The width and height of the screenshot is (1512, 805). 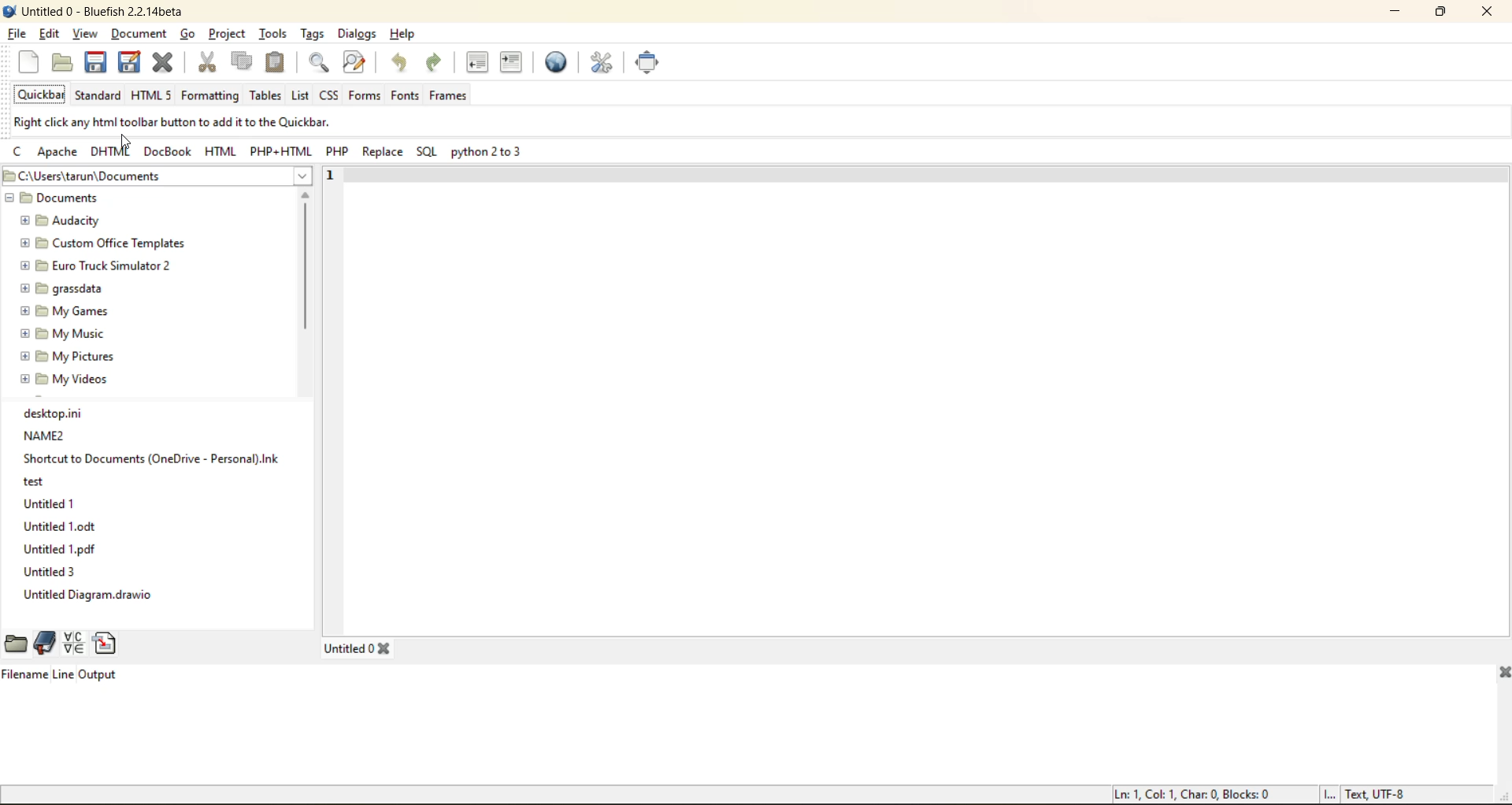 What do you see at coordinates (227, 35) in the screenshot?
I see `project` at bounding box center [227, 35].